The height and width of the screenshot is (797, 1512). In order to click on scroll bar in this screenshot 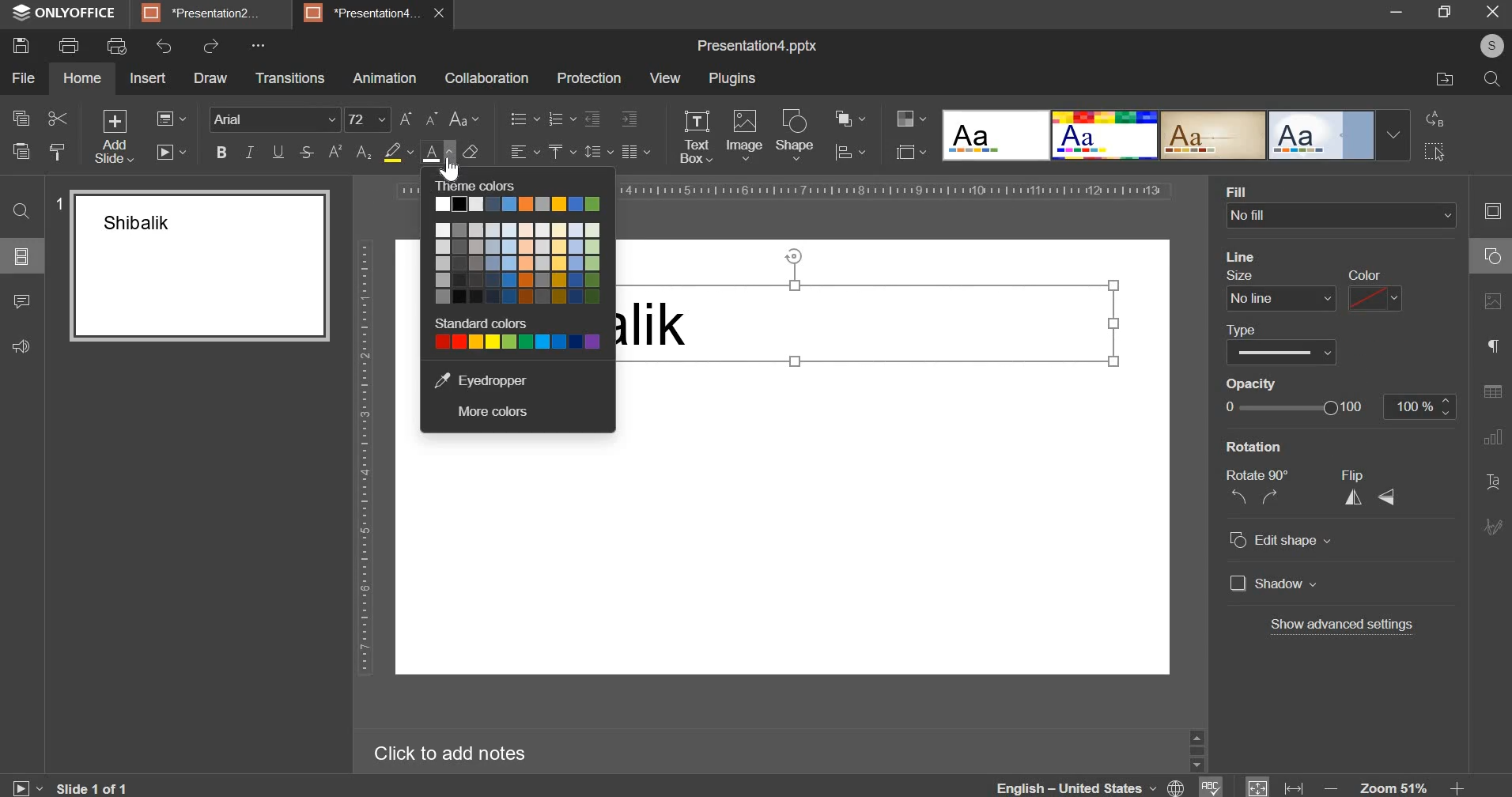, I will do `click(1193, 749)`.